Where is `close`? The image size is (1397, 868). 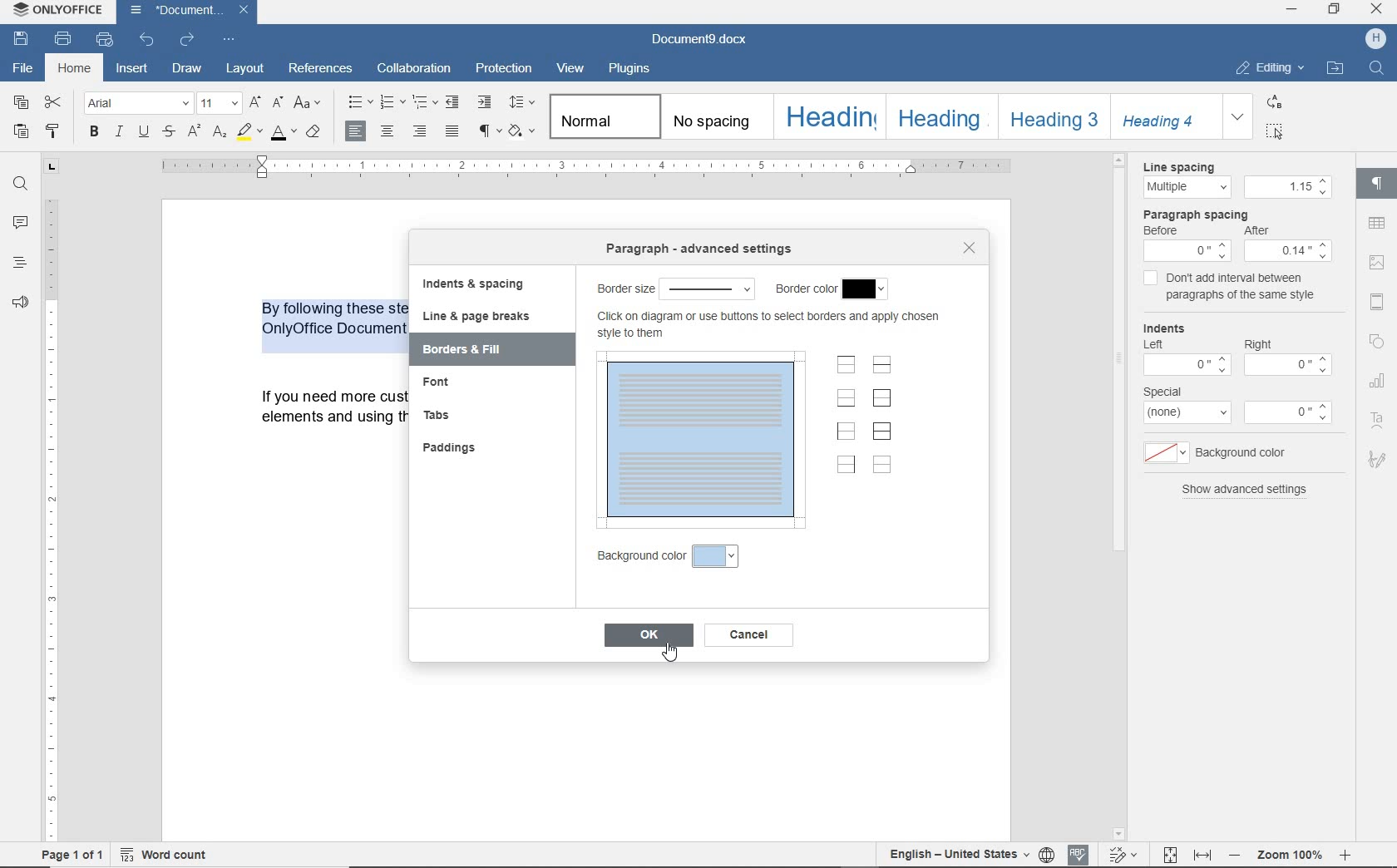
close is located at coordinates (970, 248).